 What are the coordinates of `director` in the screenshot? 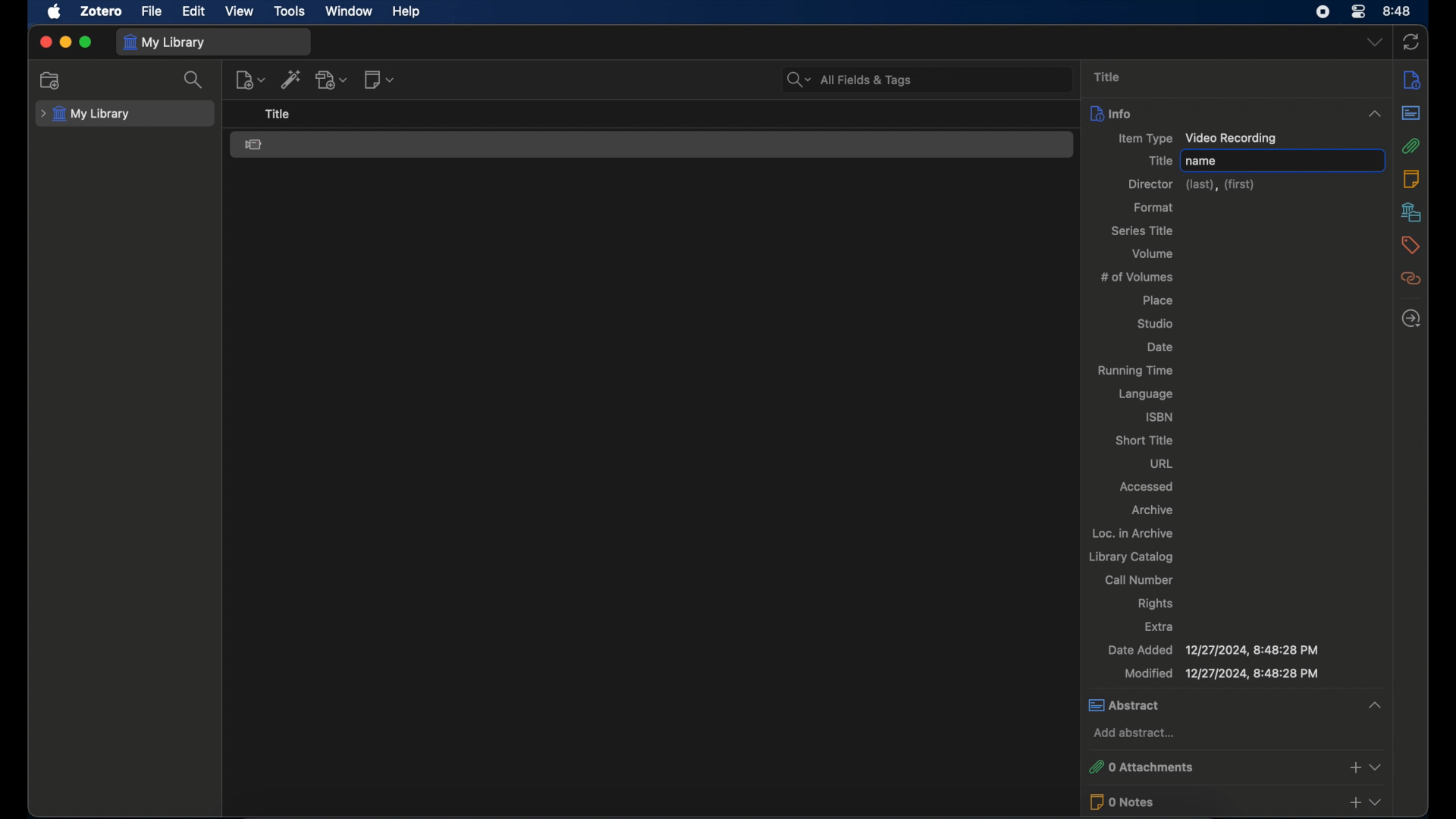 It's located at (1191, 185).